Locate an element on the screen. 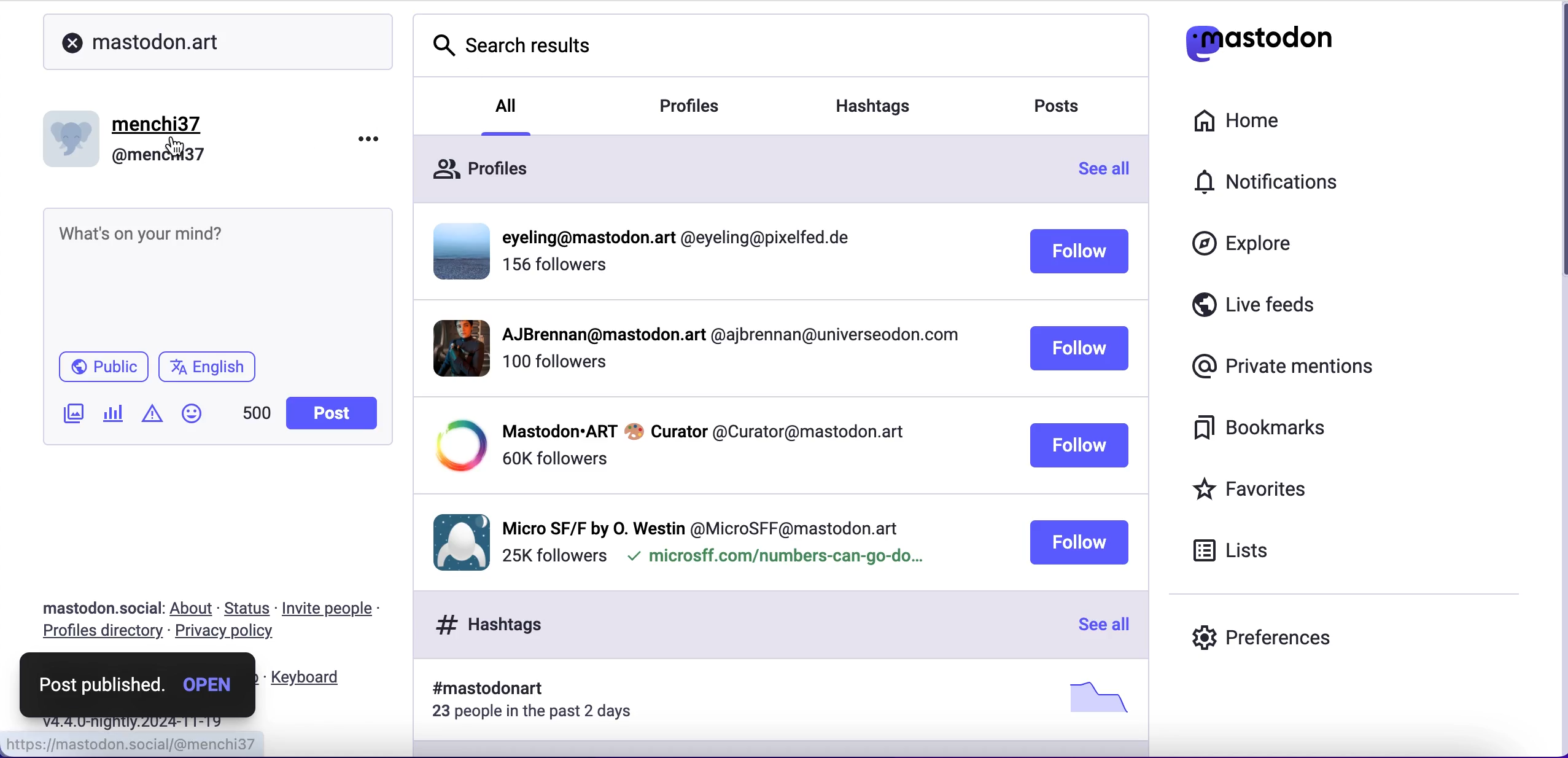  private mentions is located at coordinates (1278, 367).